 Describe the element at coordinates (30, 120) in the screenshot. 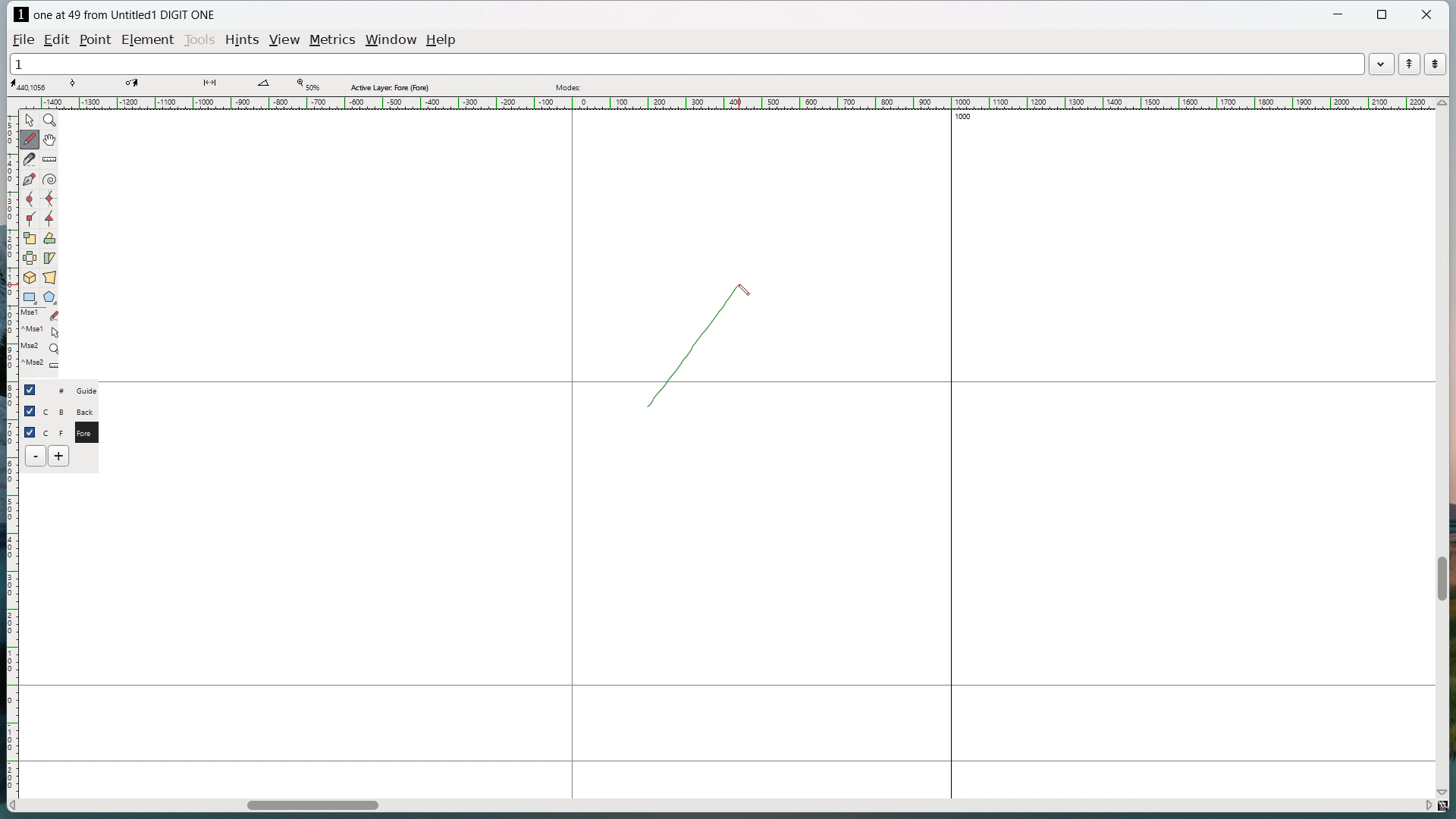

I see `pointer` at that location.